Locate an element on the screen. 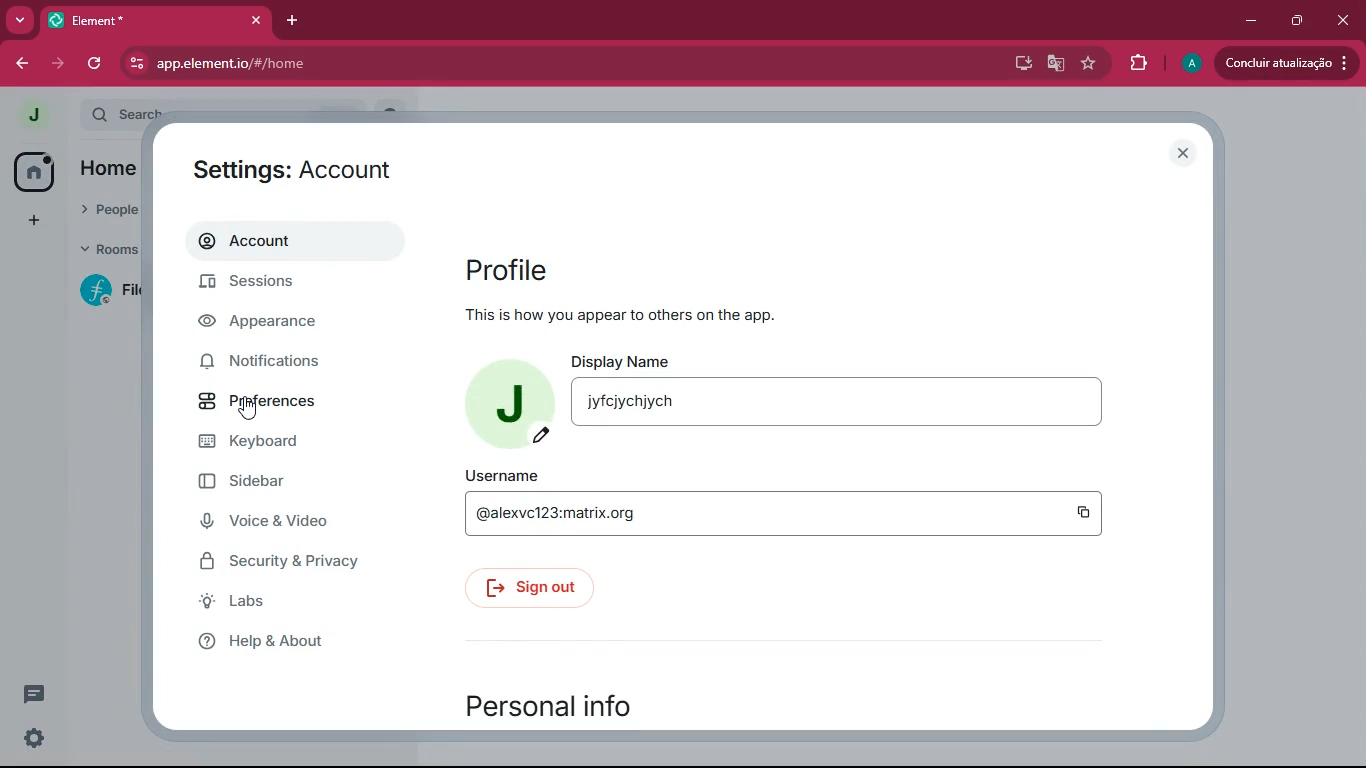  settings: account is located at coordinates (296, 171).